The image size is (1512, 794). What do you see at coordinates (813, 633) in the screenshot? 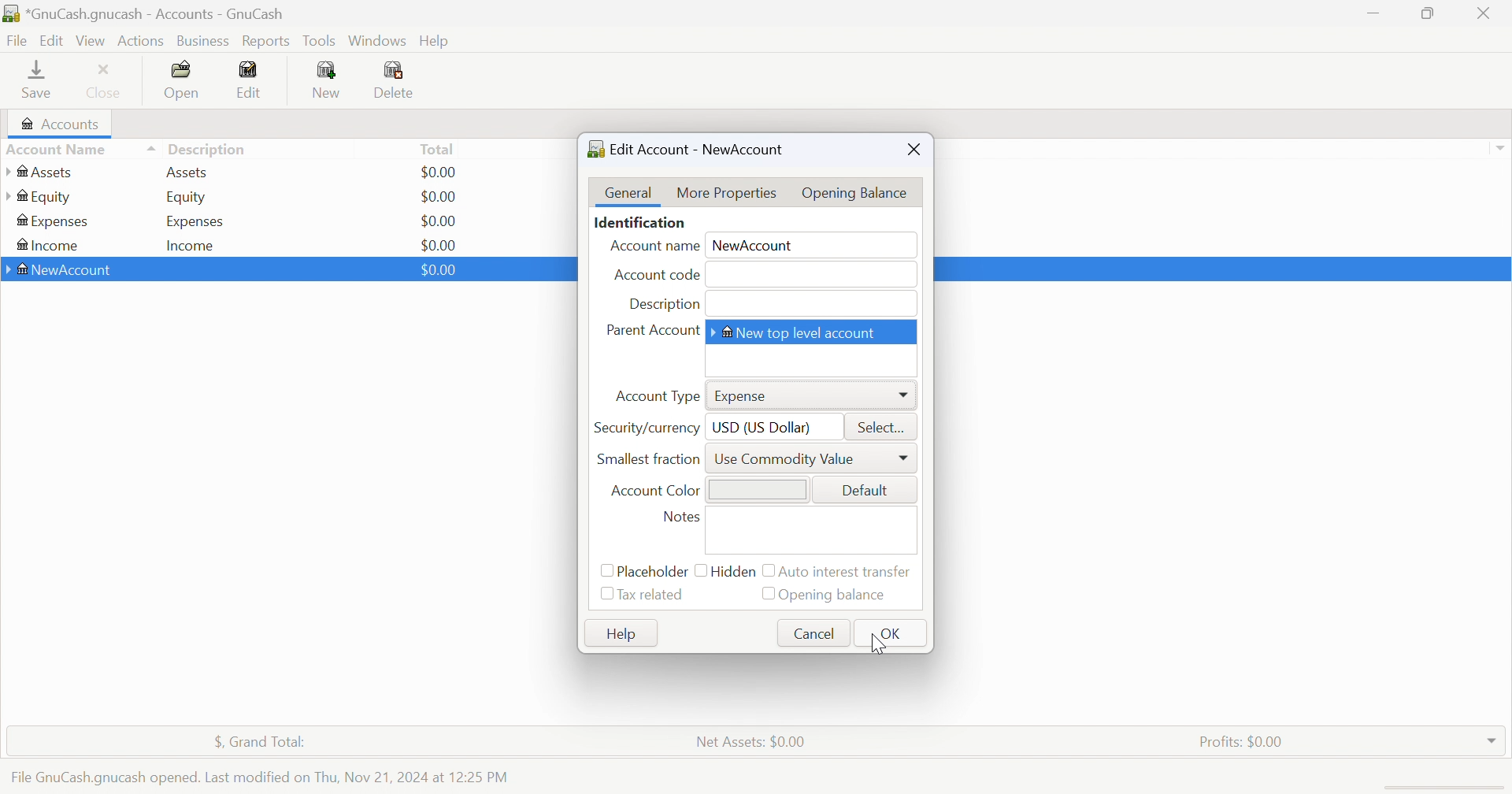
I see `Cancel` at bounding box center [813, 633].